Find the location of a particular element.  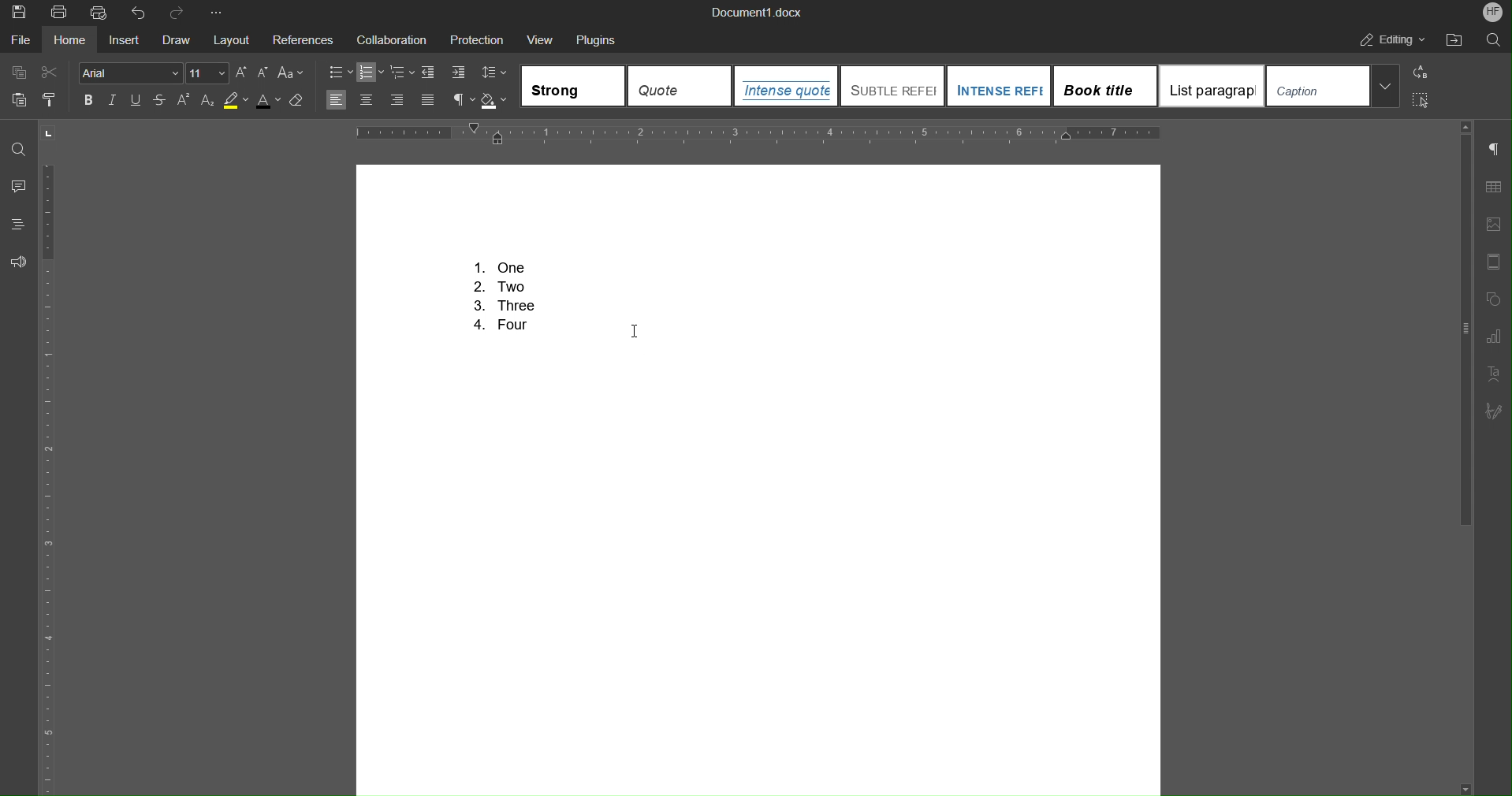

Document Title is located at coordinates (754, 12).